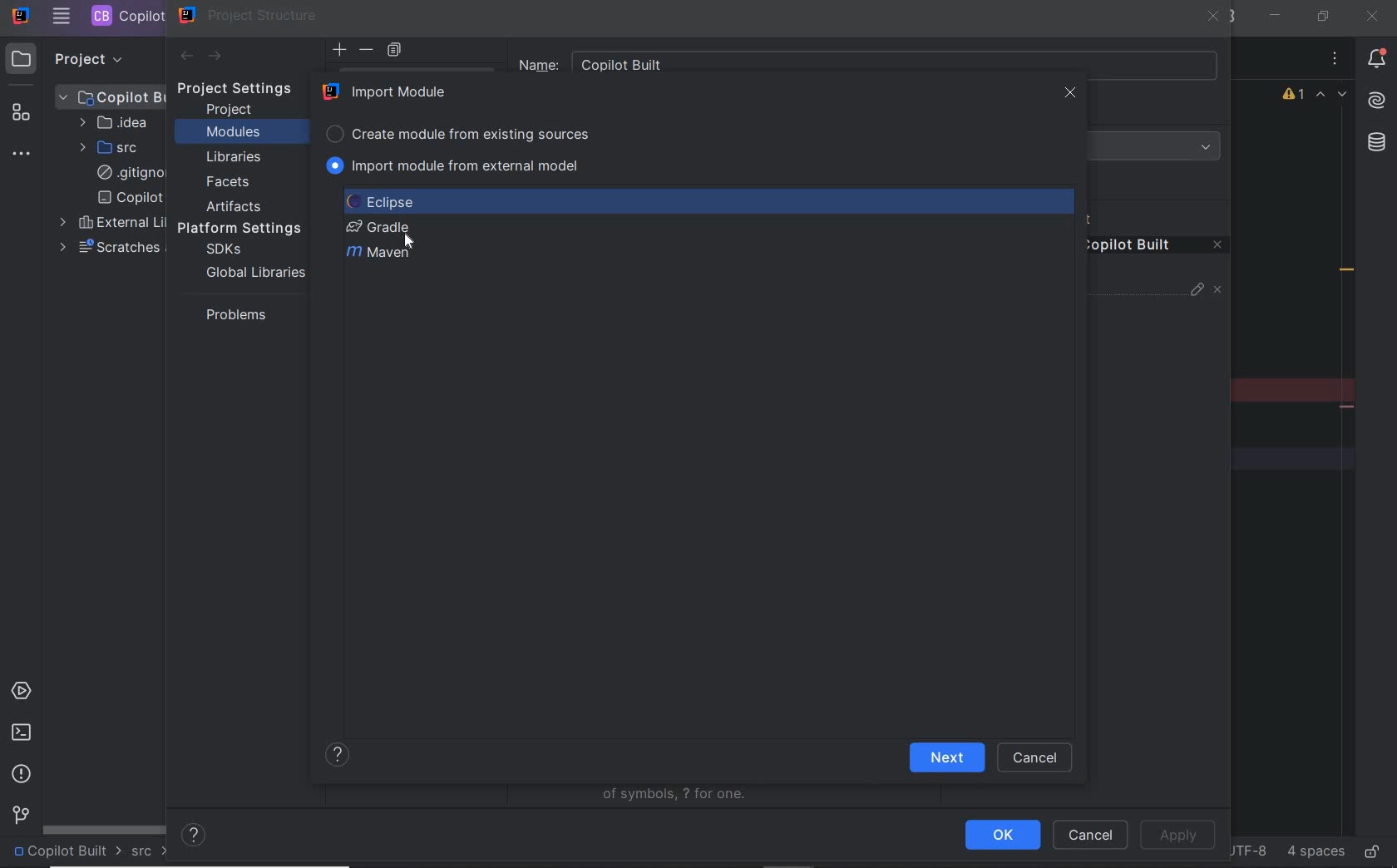  I want to click on file encoding, so click(1246, 850).